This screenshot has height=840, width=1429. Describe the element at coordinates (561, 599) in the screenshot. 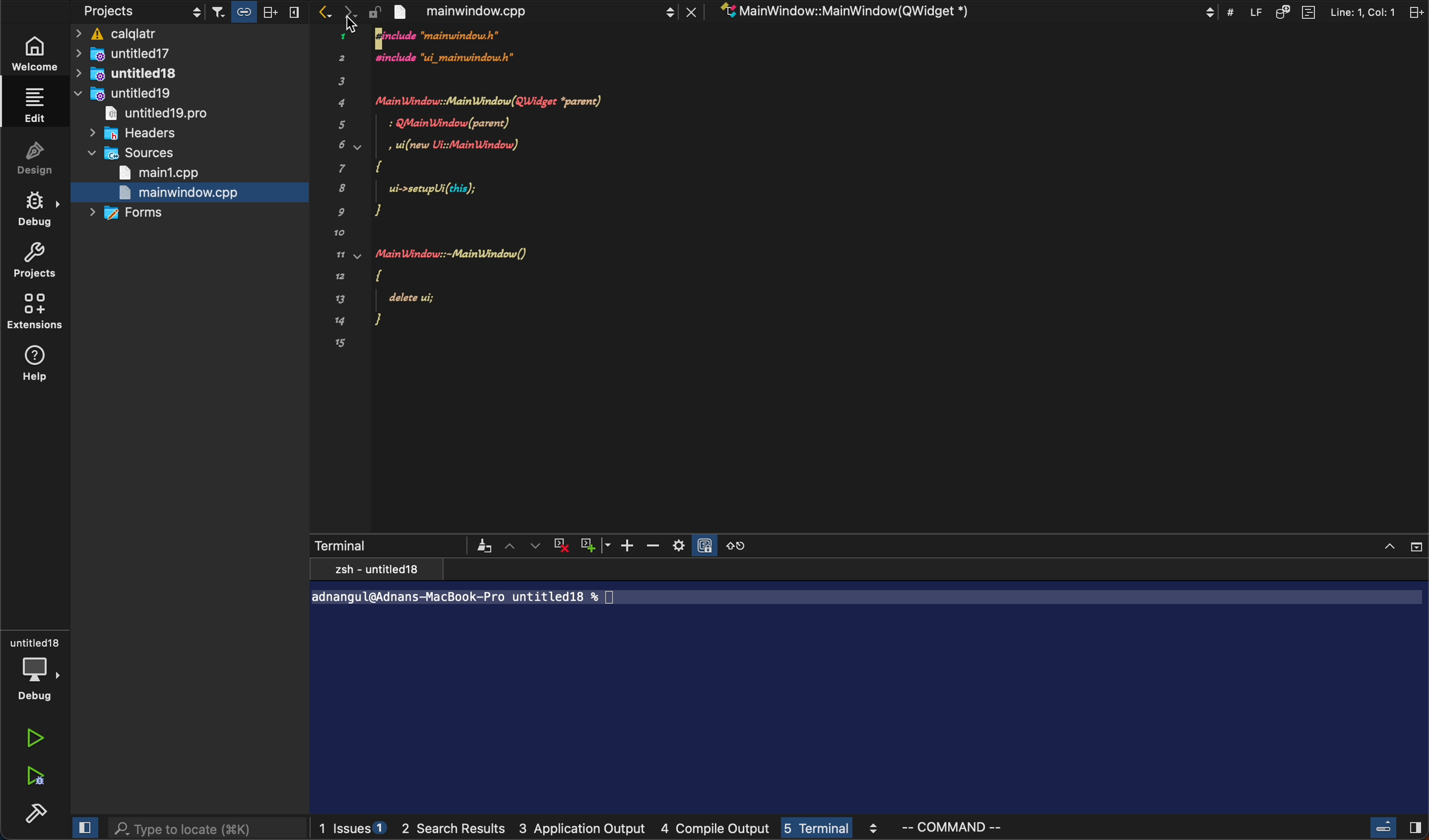

I see `path` at that location.